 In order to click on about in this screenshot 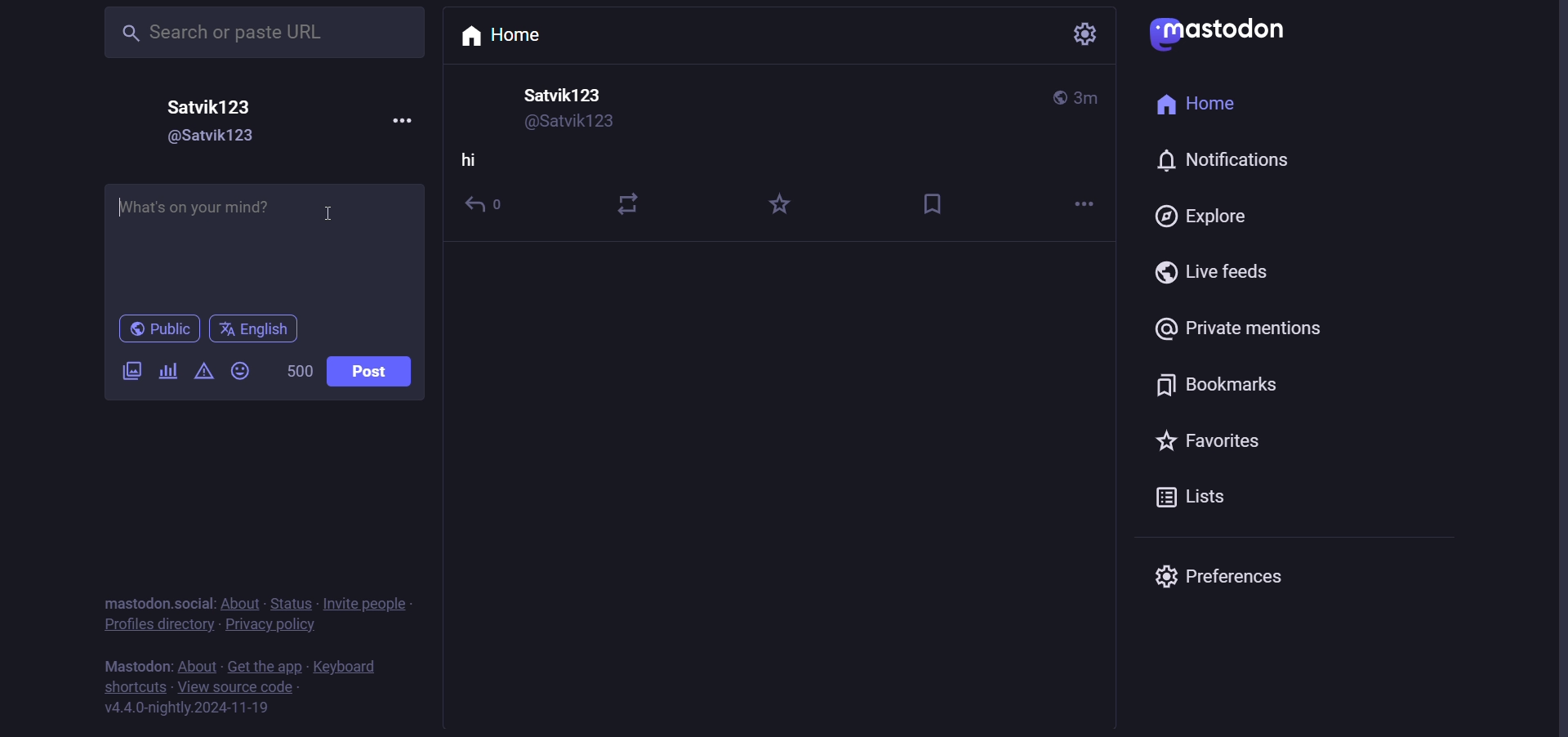, I will do `click(198, 666)`.